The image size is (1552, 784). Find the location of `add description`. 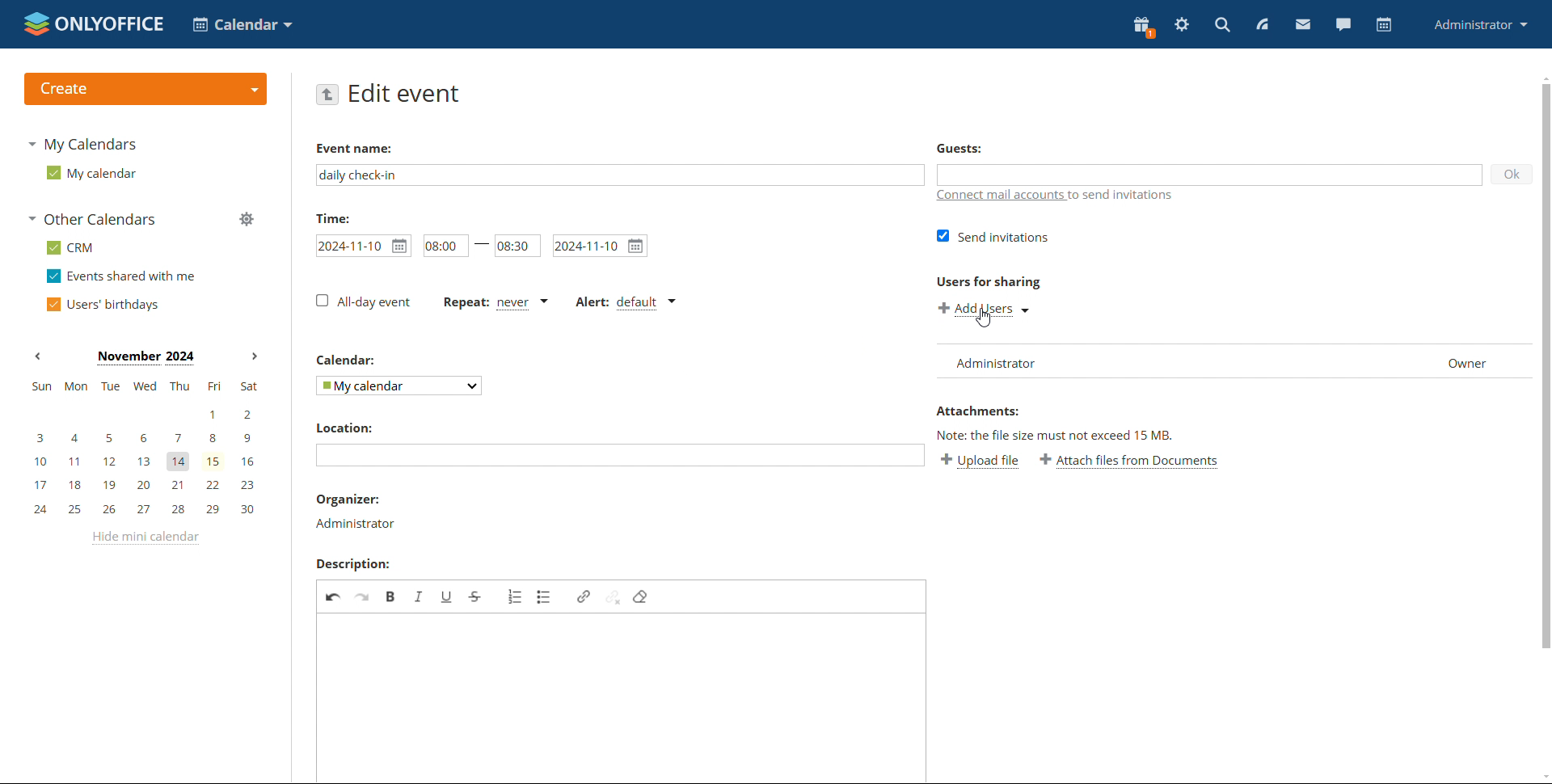

add description is located at coordinates (623, 698).